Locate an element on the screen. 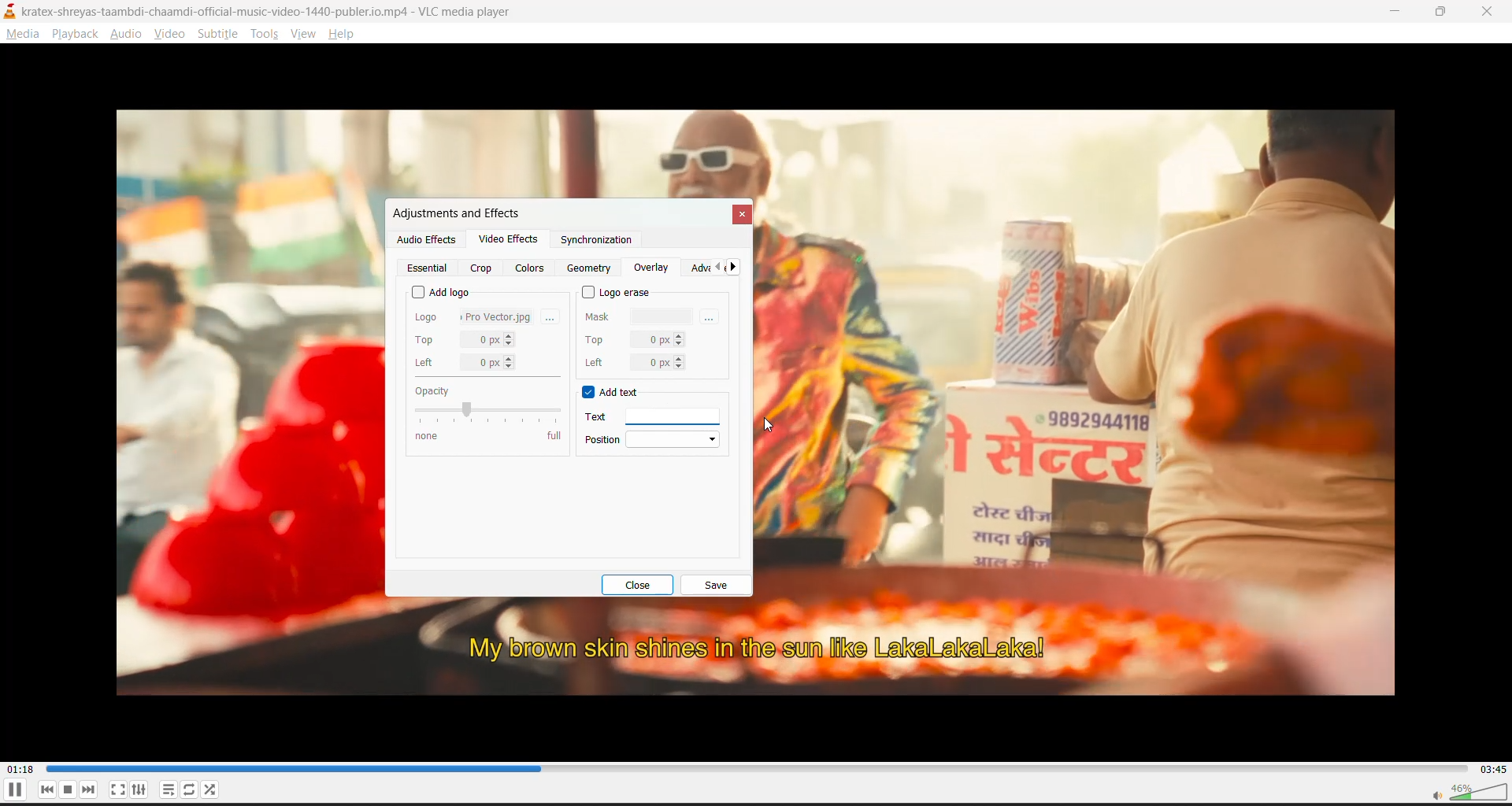 This screenshot has width=1512, height=806. Background image is located at coordinates (1083, 363).